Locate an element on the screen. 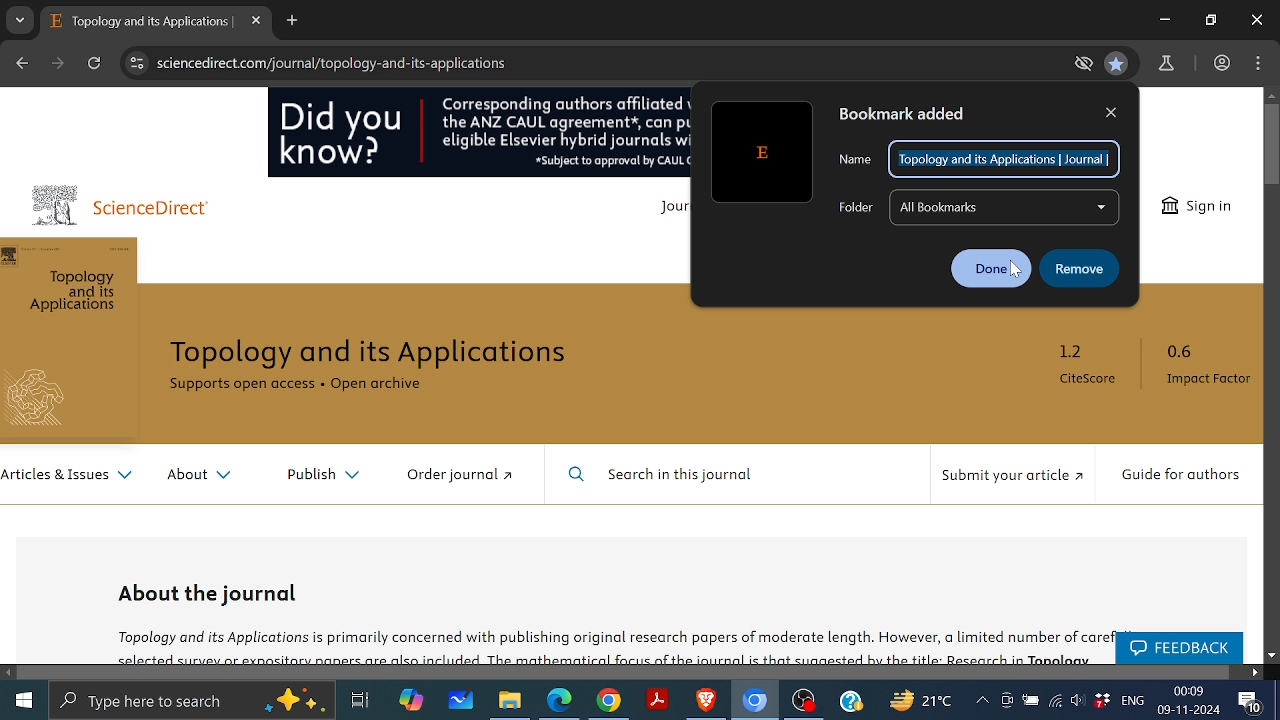  all bookmarks is located at coordinates (1006, 207).